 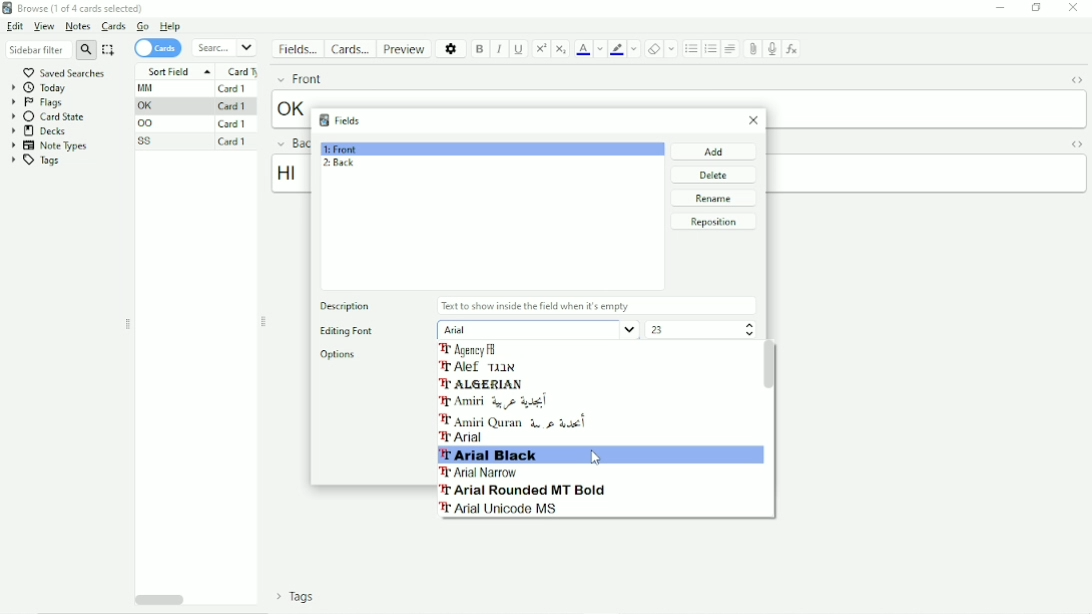 What do you see at coordinates (233, 124) in the screenshot?
I see `Card 1` at bounding box center [233, 124].